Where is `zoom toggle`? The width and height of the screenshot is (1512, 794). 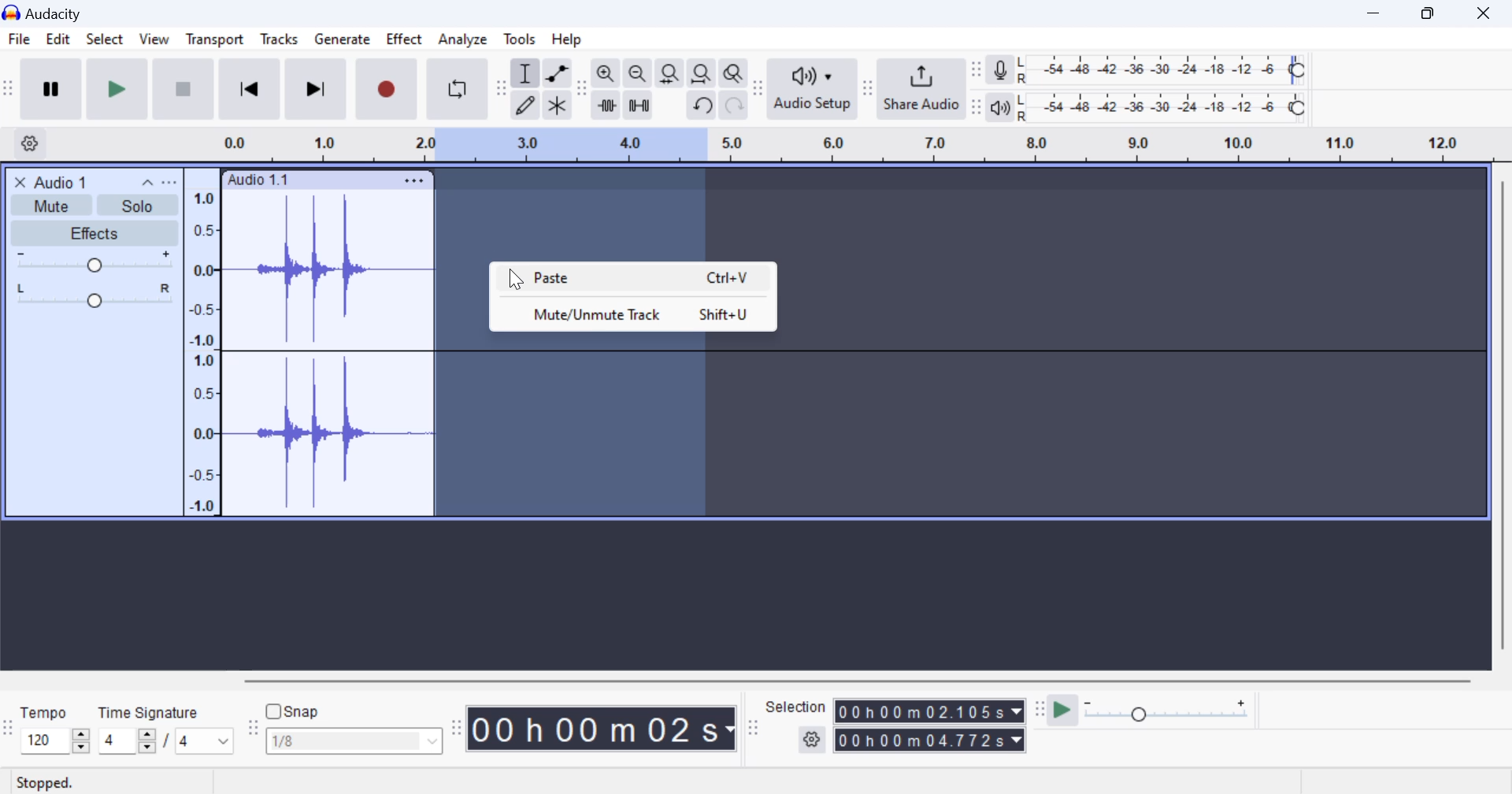 zoom toggle is located at coordinates (735, 75).